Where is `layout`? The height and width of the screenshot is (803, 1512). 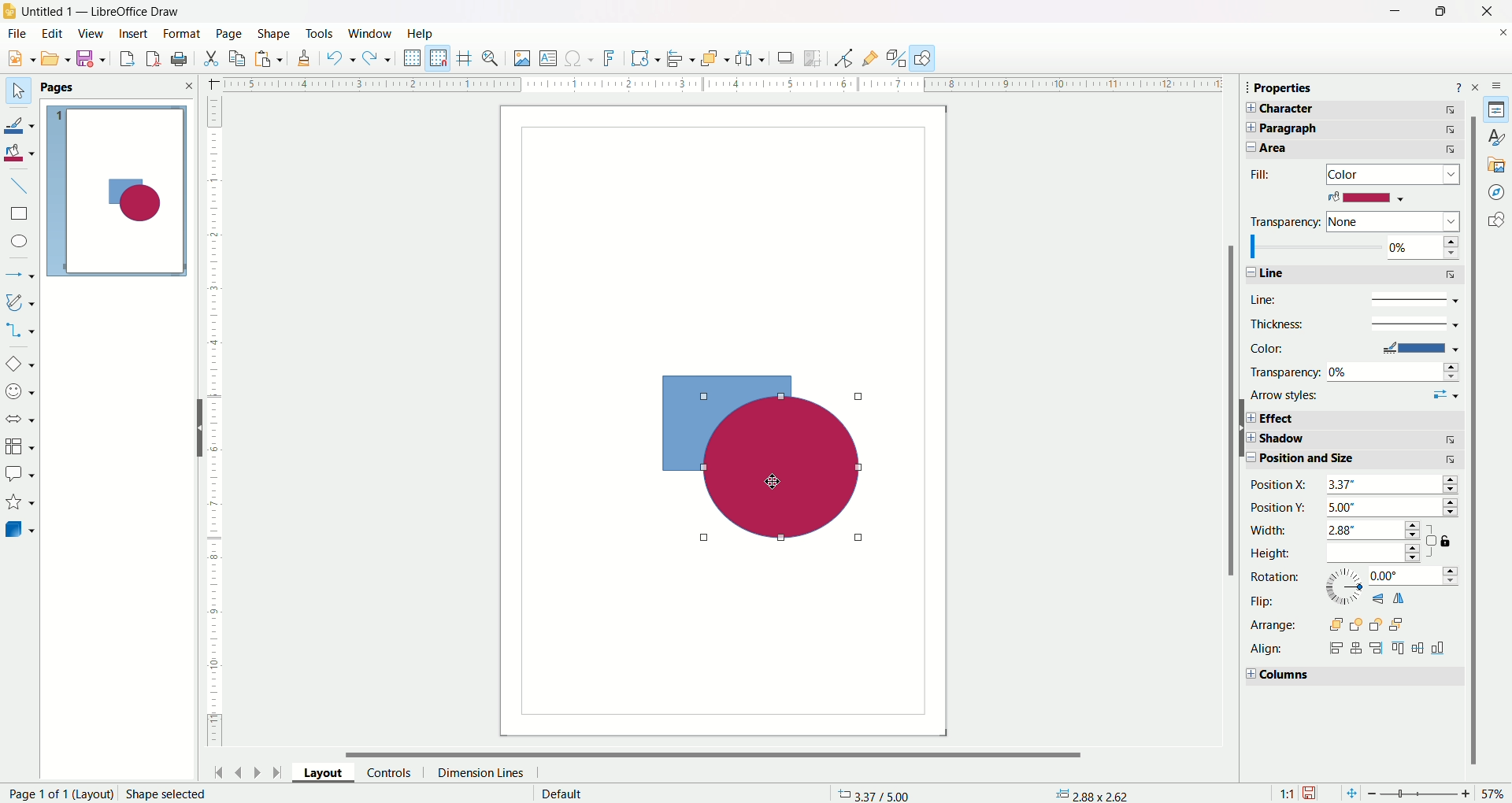
layout is located at coordinates (318, 772).